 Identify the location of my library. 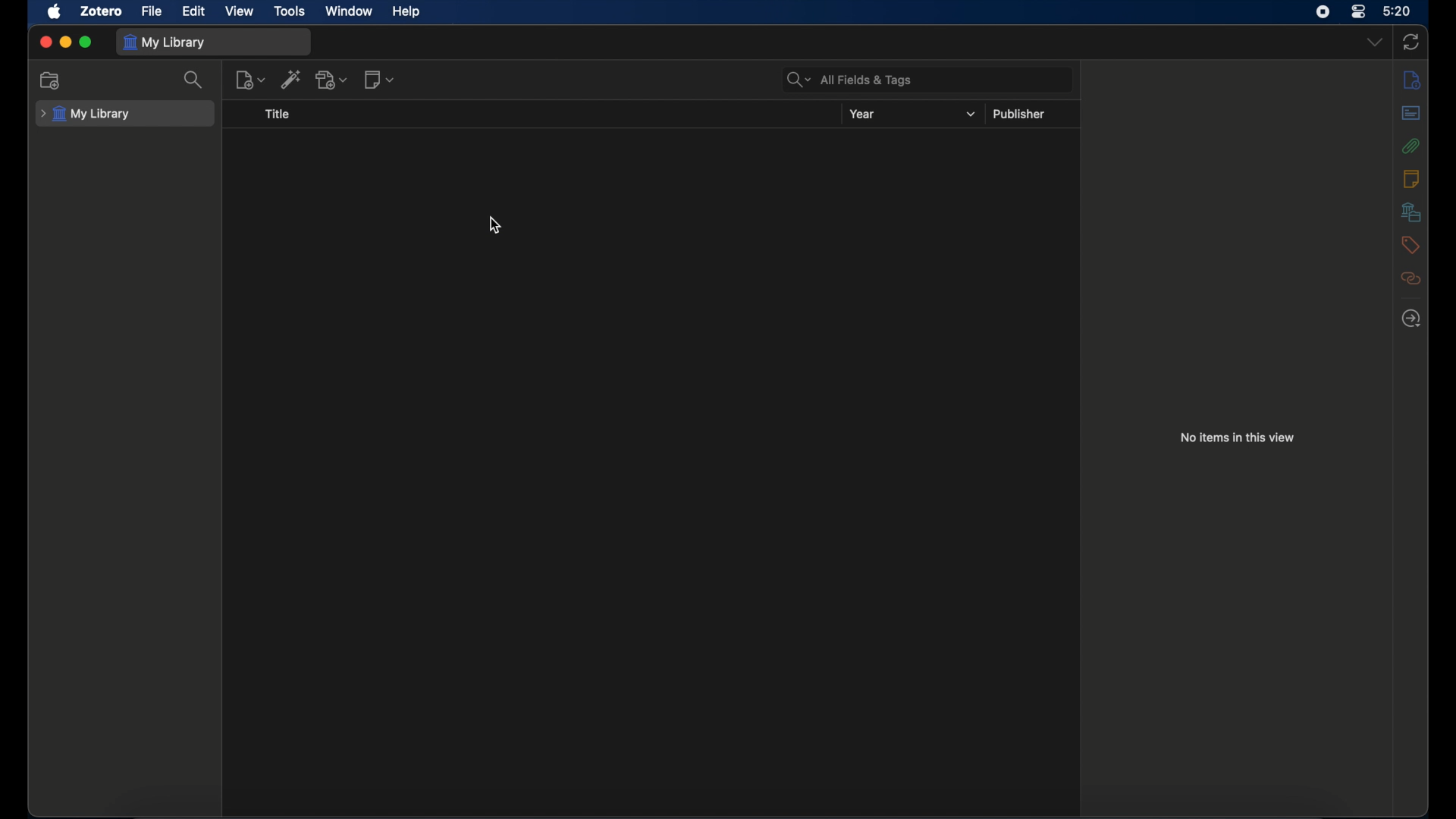
(165, 43).